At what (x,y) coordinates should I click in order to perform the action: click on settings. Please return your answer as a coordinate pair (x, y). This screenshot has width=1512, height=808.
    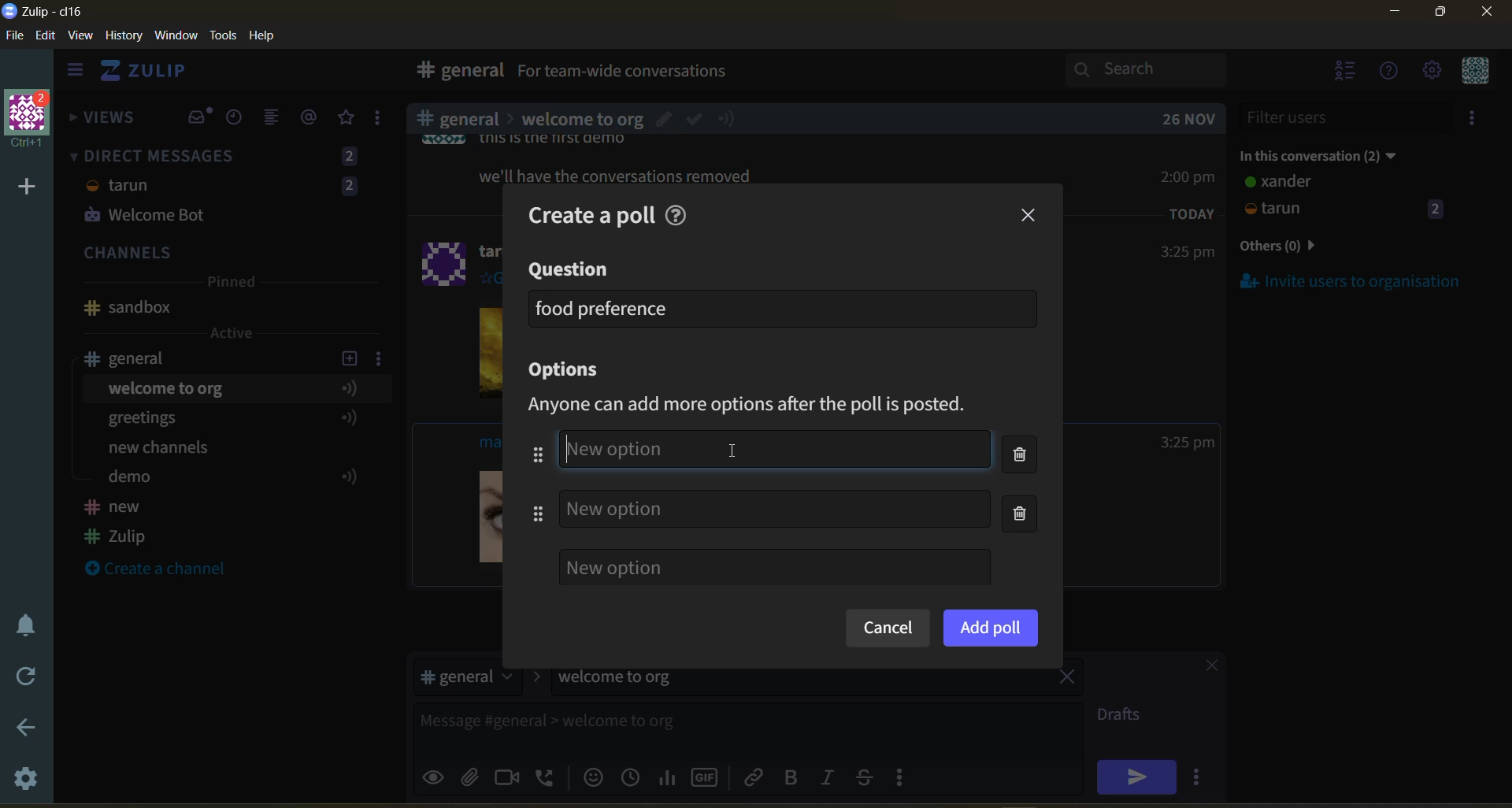
    Looking at the image, I should click on (28, 781).